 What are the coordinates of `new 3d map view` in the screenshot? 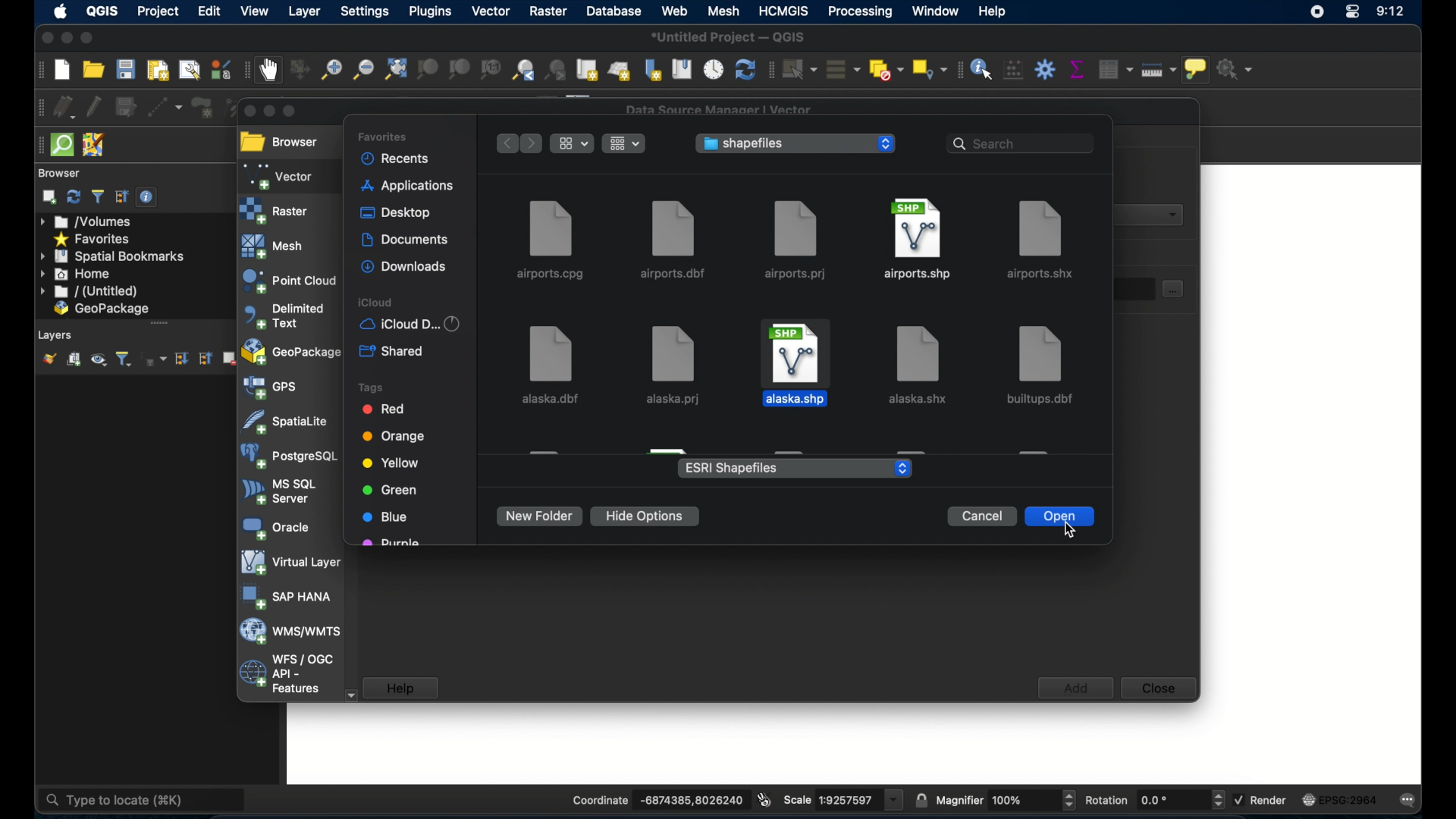 It's located at (620, 72).